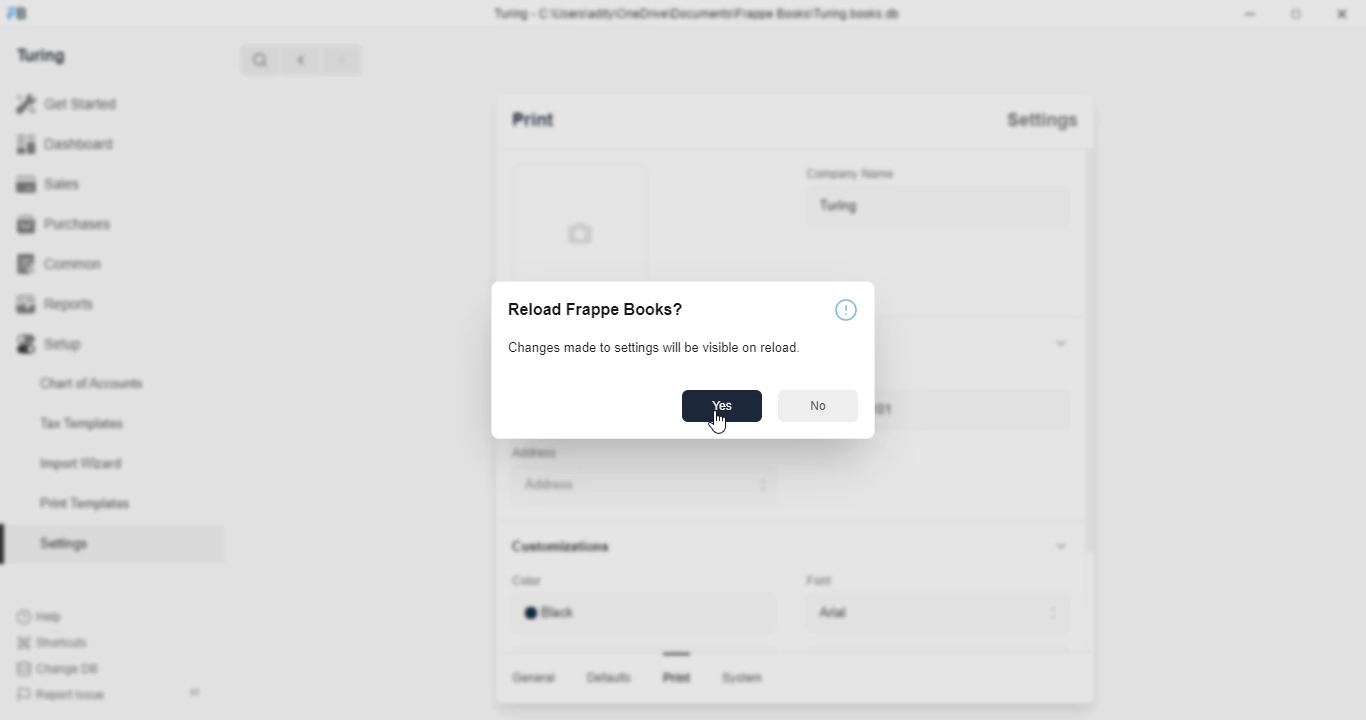 The height and width of the screenshot is (720, 1366). What do you see at coordinates (552, 122) in the screenshot?
I see `Print` at bounding box center [552, 122].